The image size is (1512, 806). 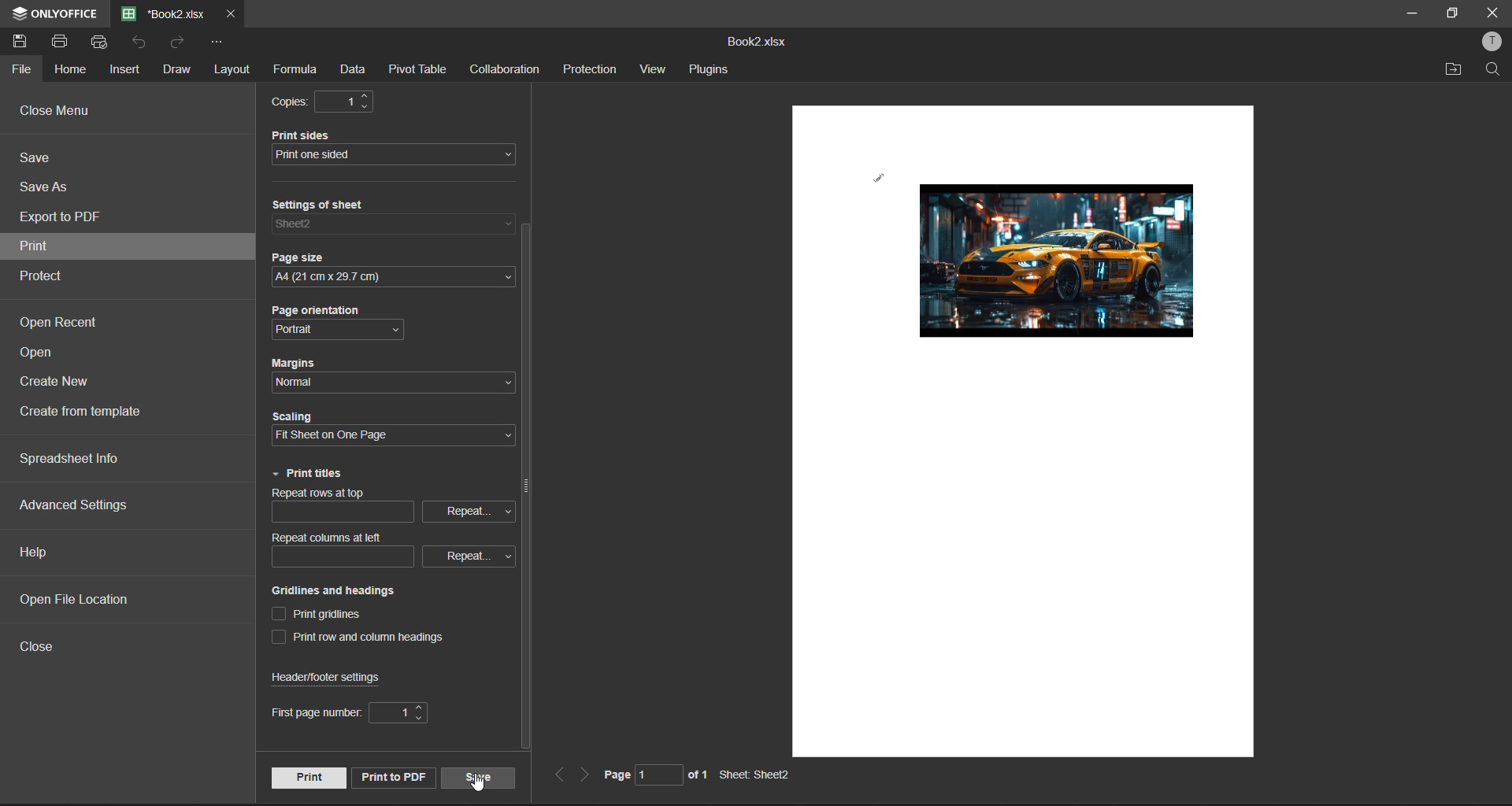 What do you see at coordinates (1410, 13) in the screenshot?
I see `minimize` at bounding box center [1410, 13].